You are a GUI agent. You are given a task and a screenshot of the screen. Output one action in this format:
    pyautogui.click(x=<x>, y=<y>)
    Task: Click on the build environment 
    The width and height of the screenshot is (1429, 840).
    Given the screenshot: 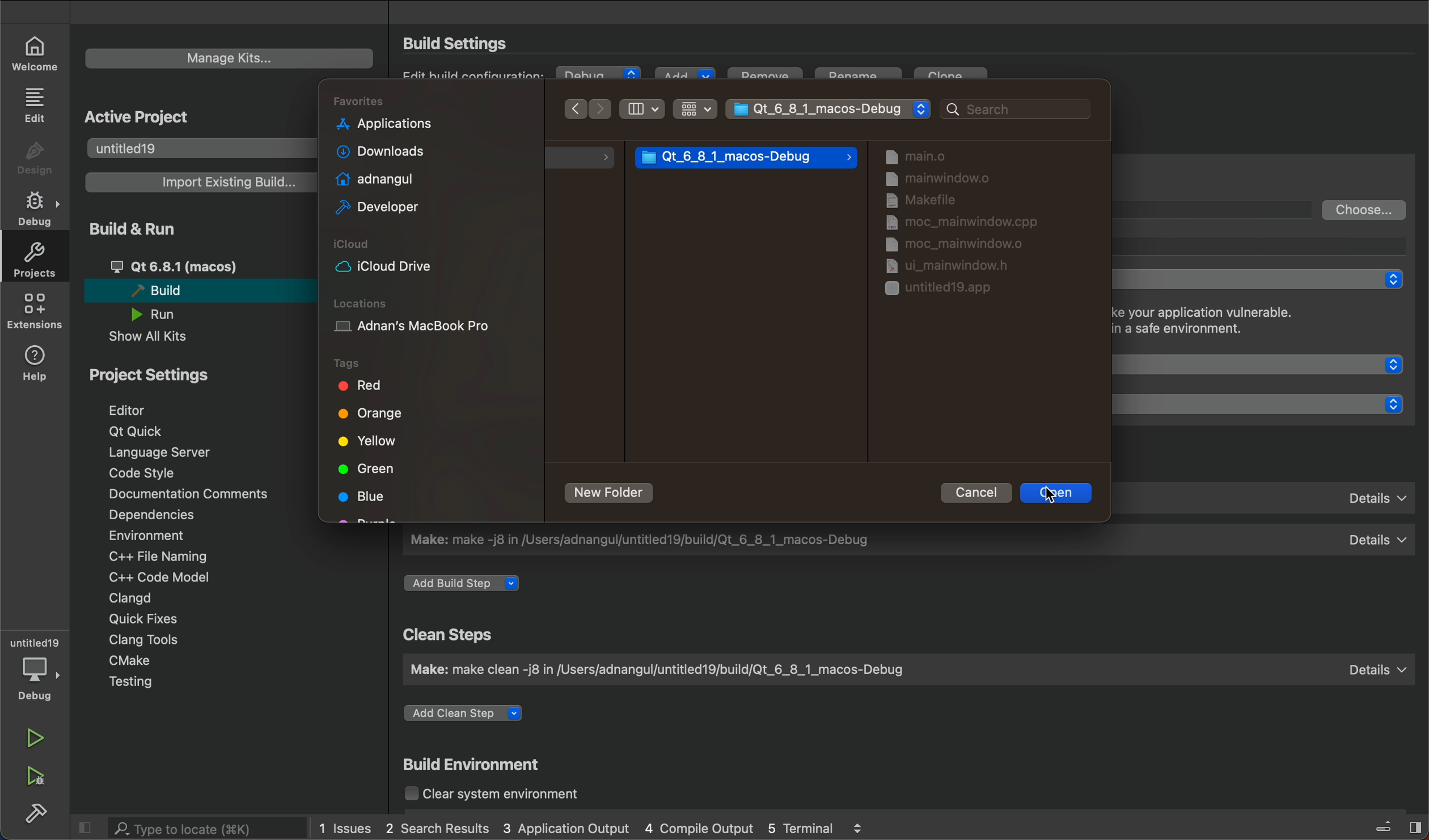 What is the action you would take?
    pyautogui.click(x=477, y=766)
    